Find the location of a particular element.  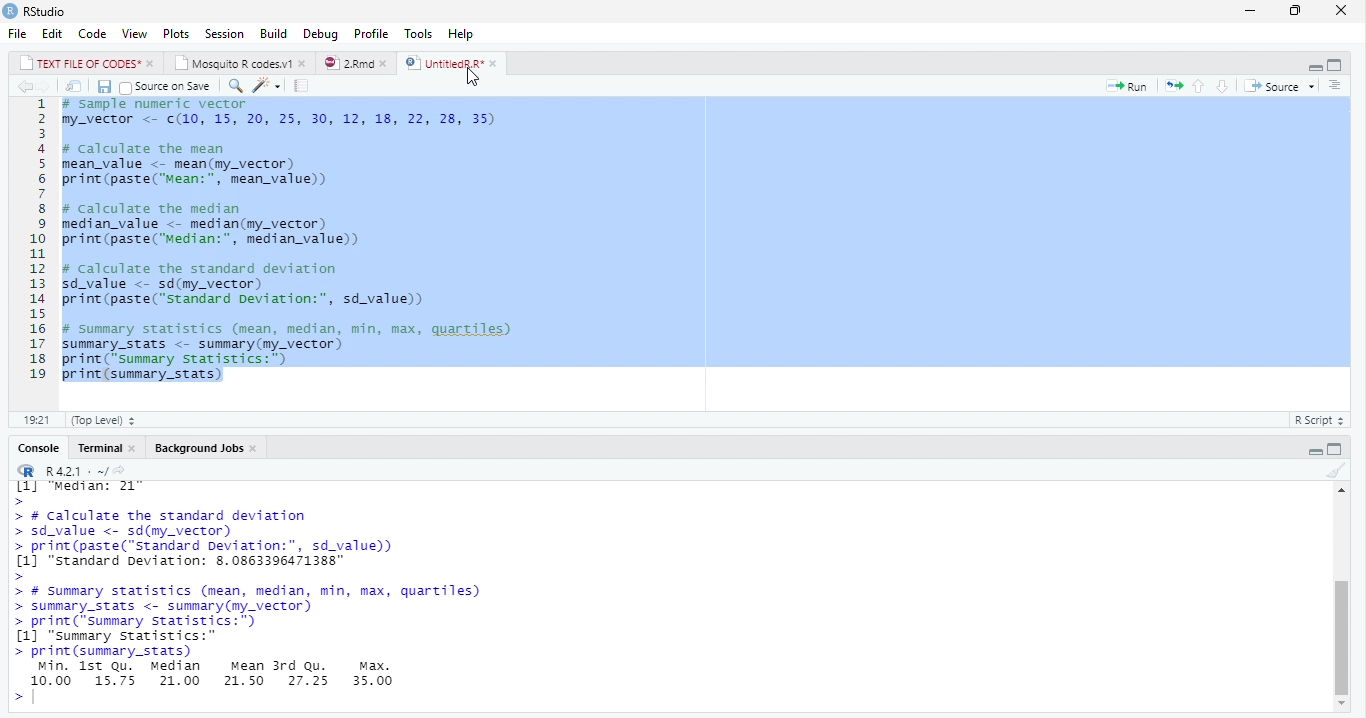

R 4.2.1 . ~/ is located at coordinates (86, 472).